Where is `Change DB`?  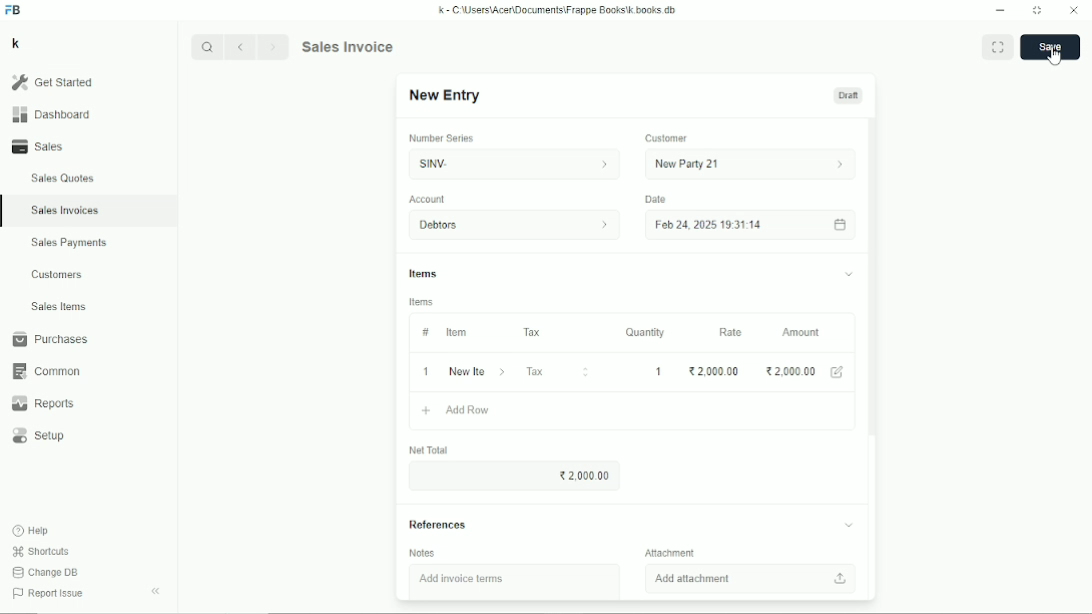
Change DB is located at coordinates (45, 573).